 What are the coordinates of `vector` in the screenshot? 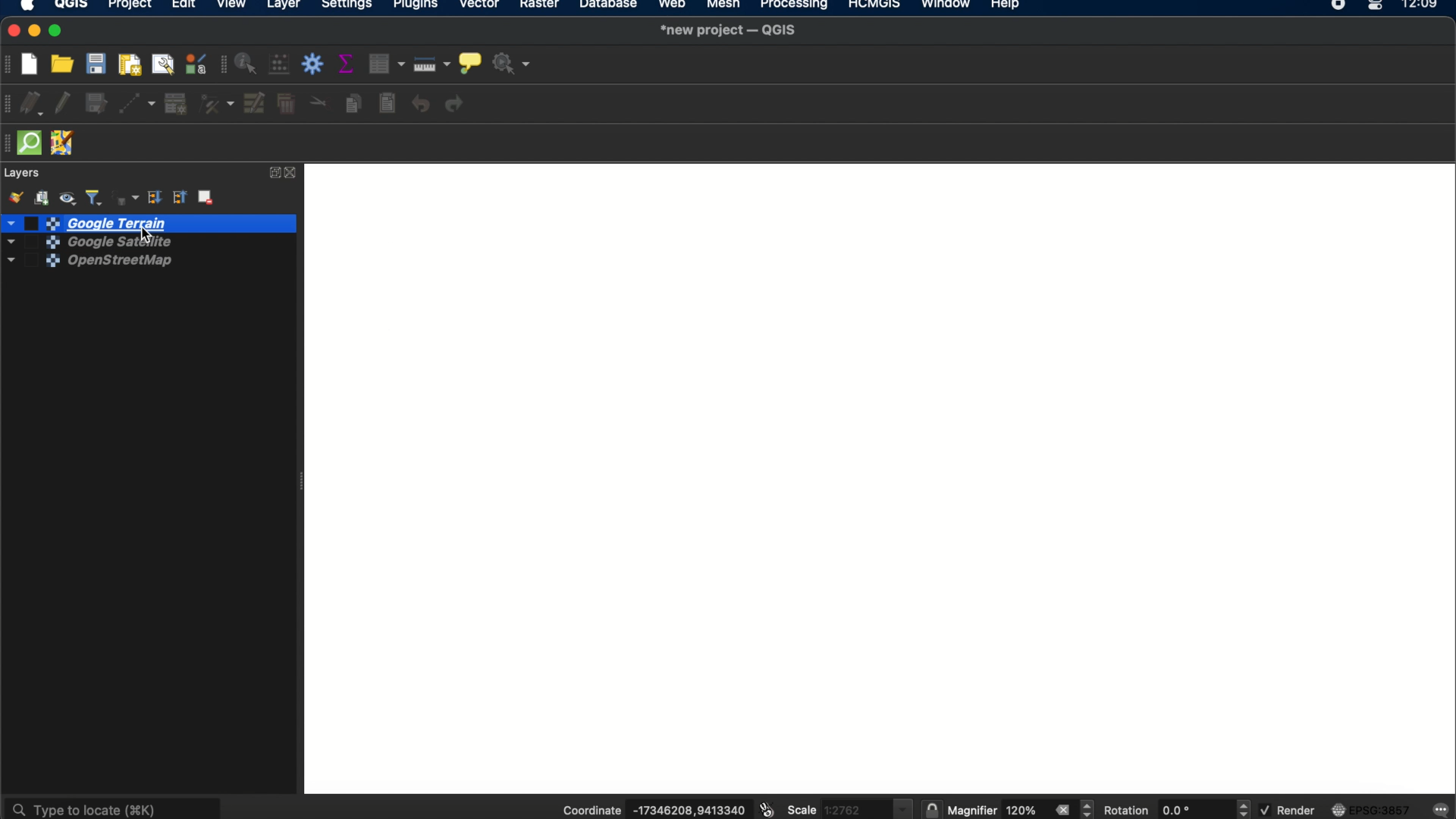 It's located at (481, 7).